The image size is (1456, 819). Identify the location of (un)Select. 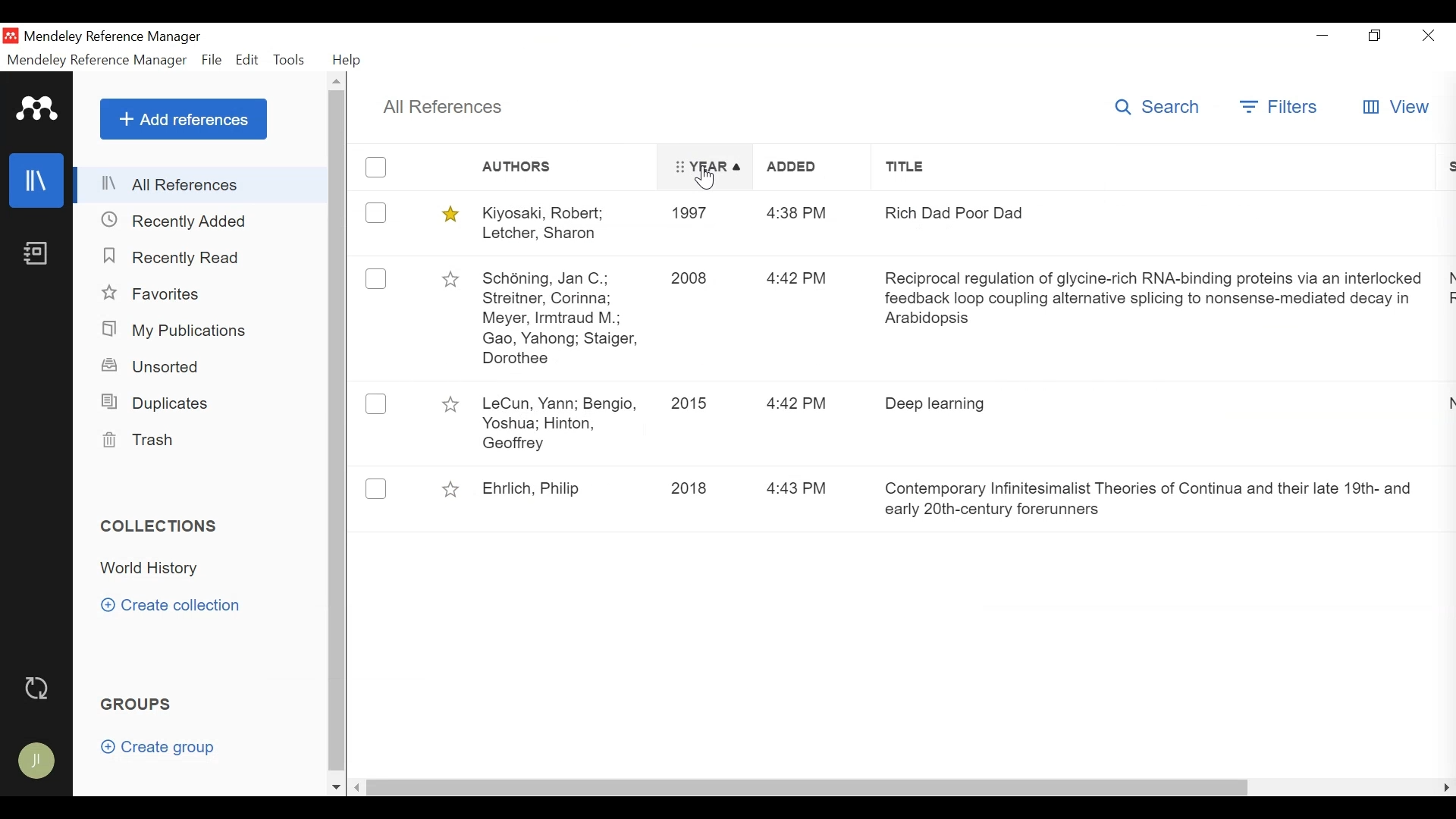
(376, 165).